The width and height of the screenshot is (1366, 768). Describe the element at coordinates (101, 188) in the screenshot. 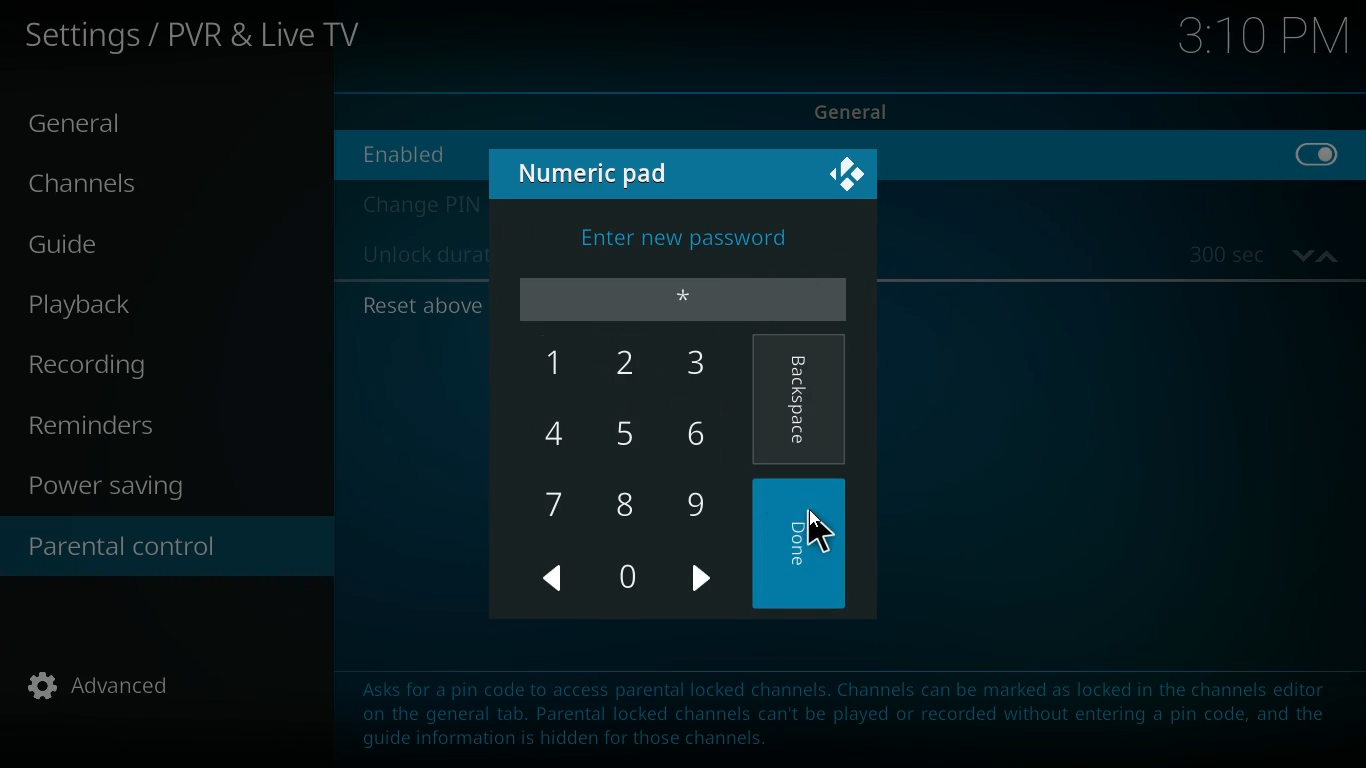

I see `channels` at that location.